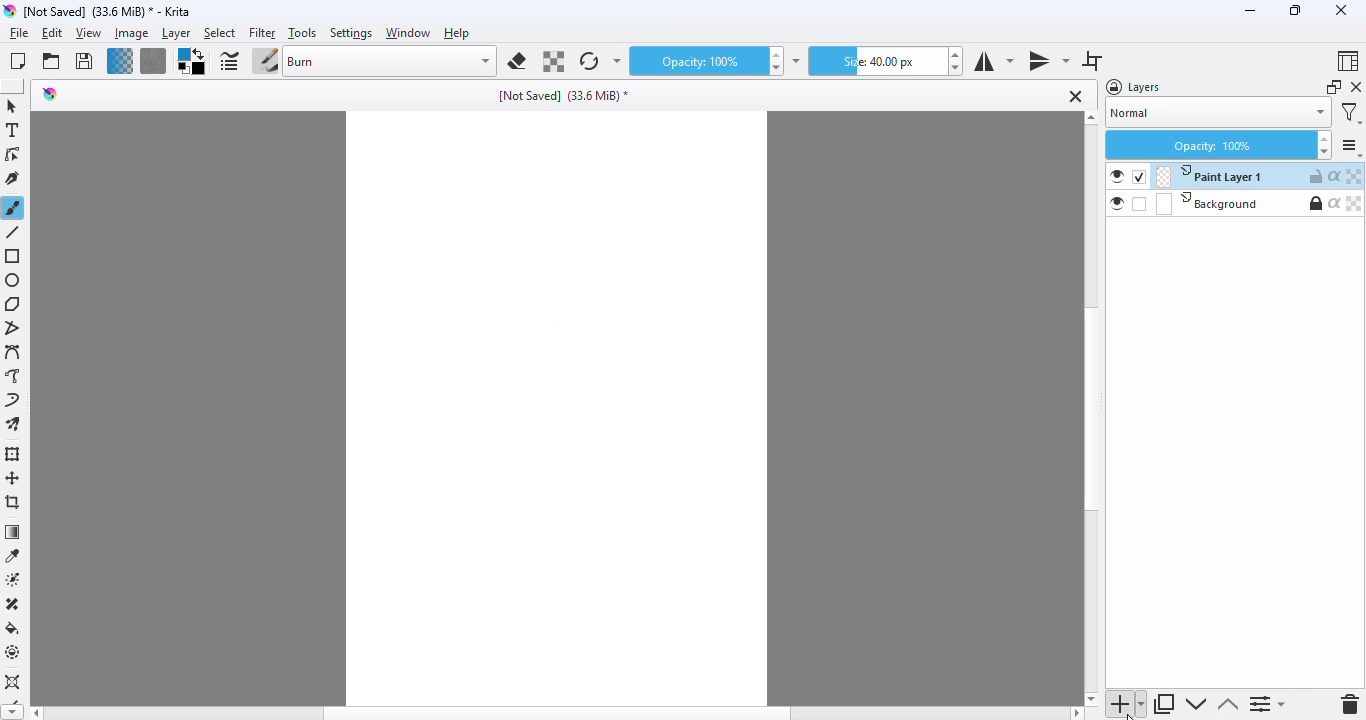 This screenshot has width=1366, height=720. Describe the element at coordinates (13, 652) in the screenshot. I see `enclose and fill tool` at that location.